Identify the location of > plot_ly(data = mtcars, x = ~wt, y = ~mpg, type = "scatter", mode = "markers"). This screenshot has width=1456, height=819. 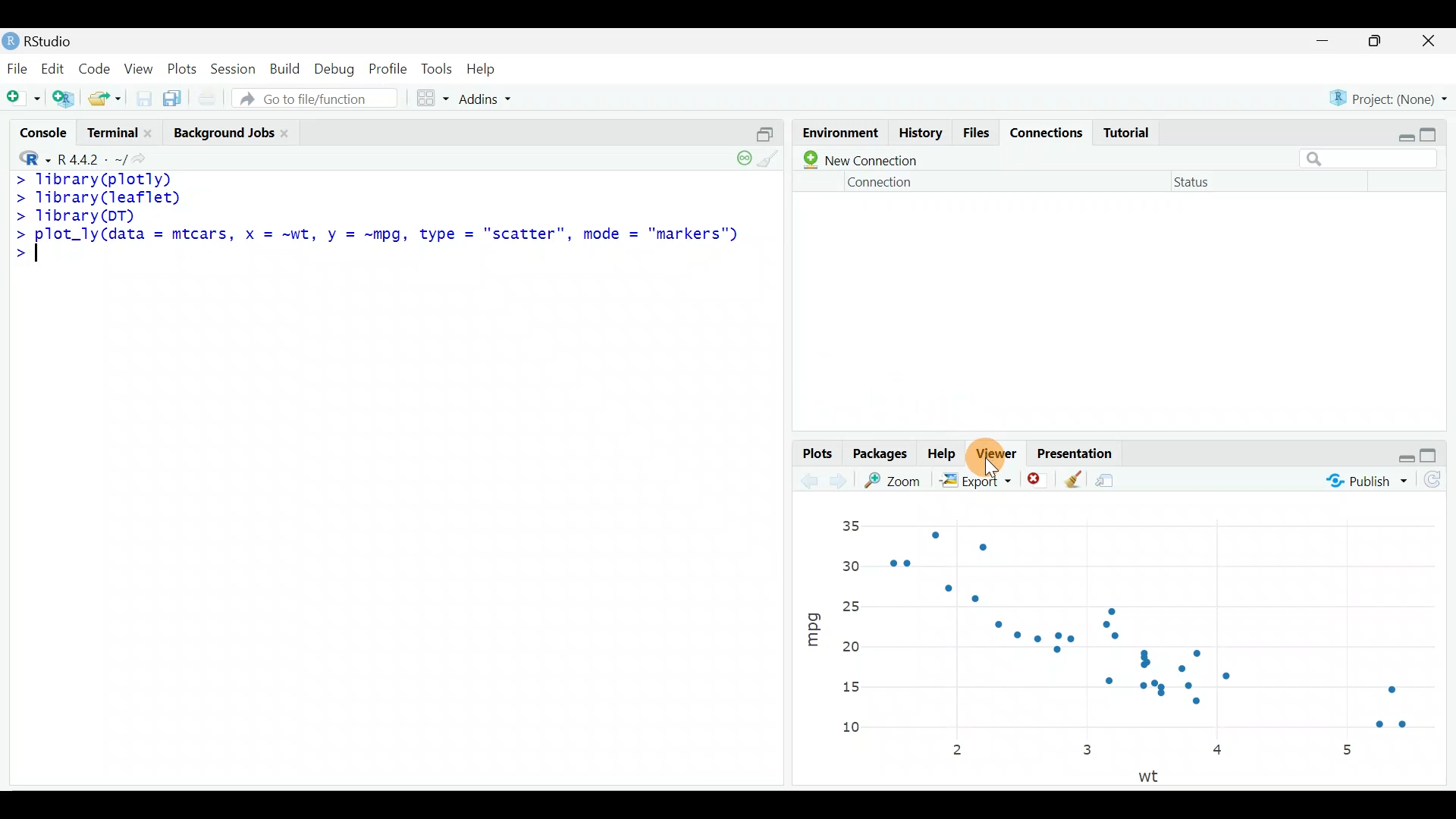
(381, 237).